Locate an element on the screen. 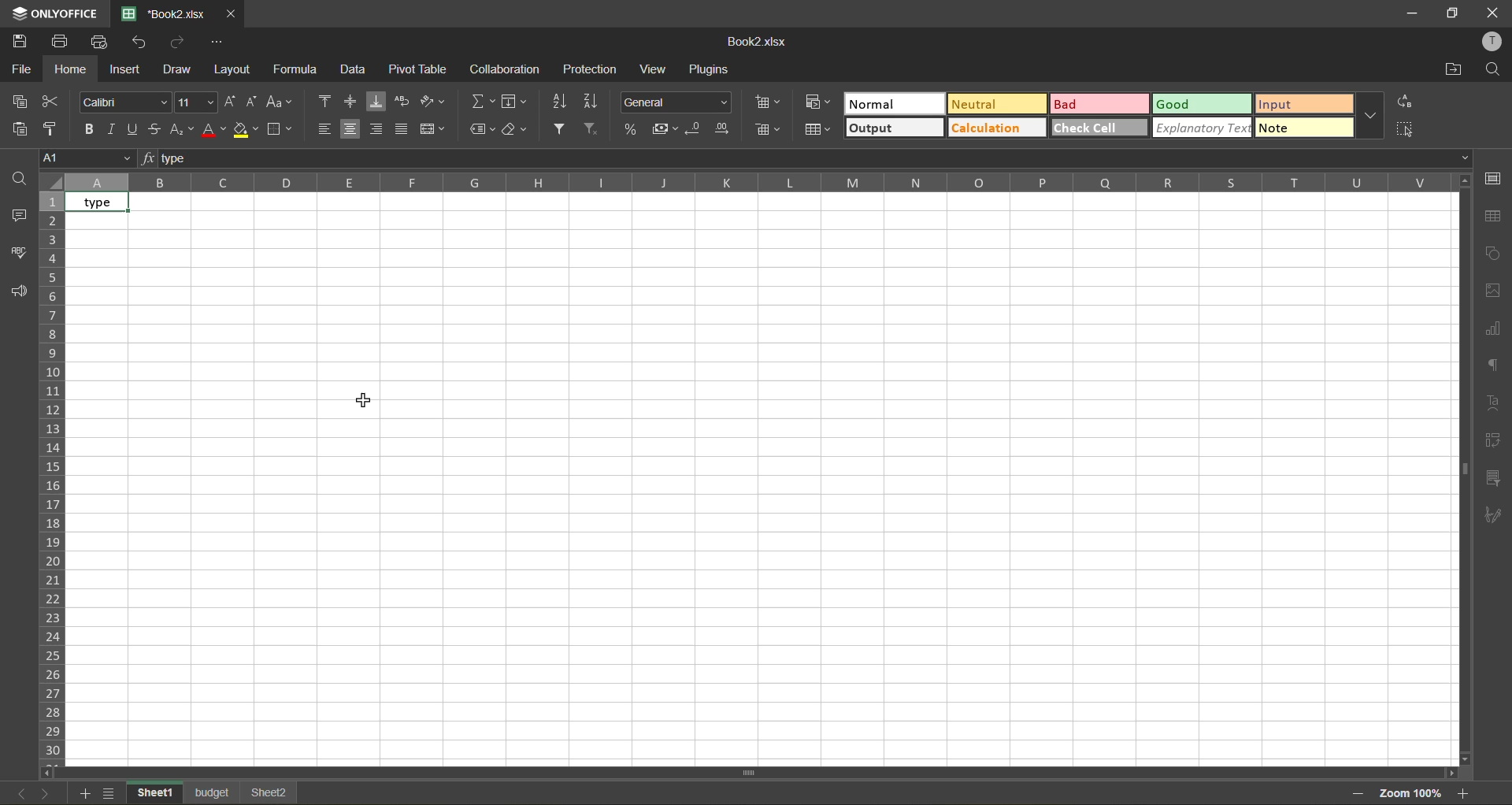  strikethrough is located at coordinates (159, 129).